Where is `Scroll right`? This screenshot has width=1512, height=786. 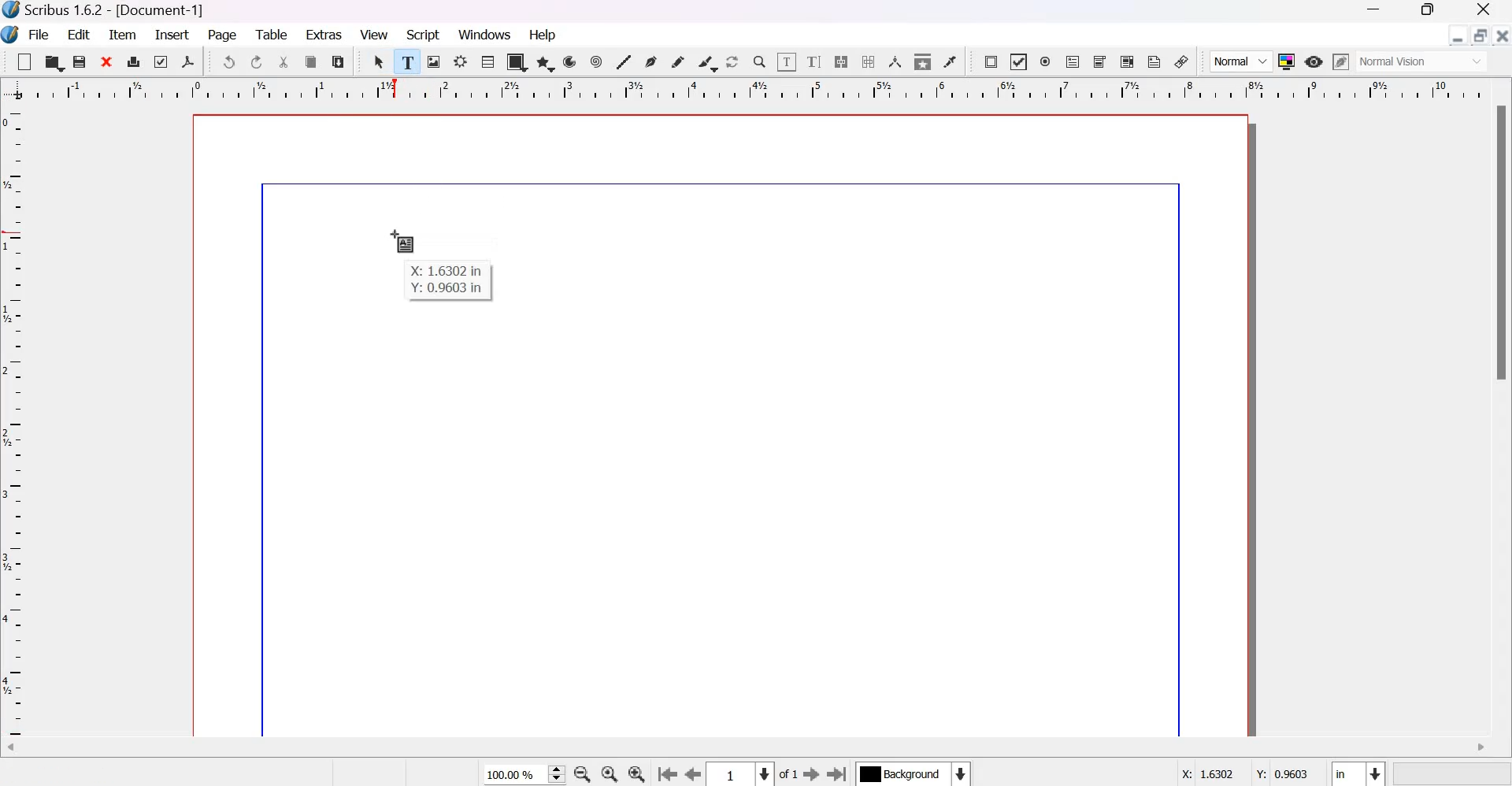
Scroll right is located at coordinates (1480, 748).